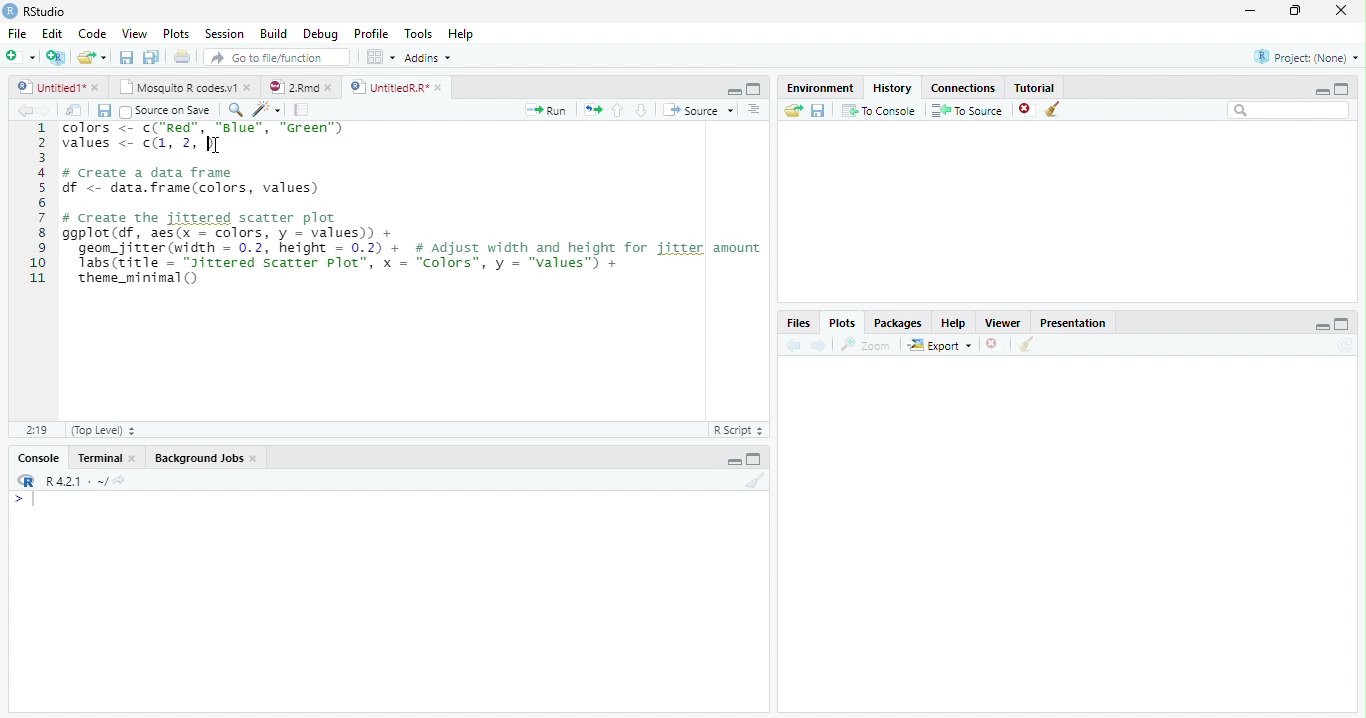  Describe the element at coordinates (44, 111) in the screenshot. I see `Go forward to next source location` at that location.